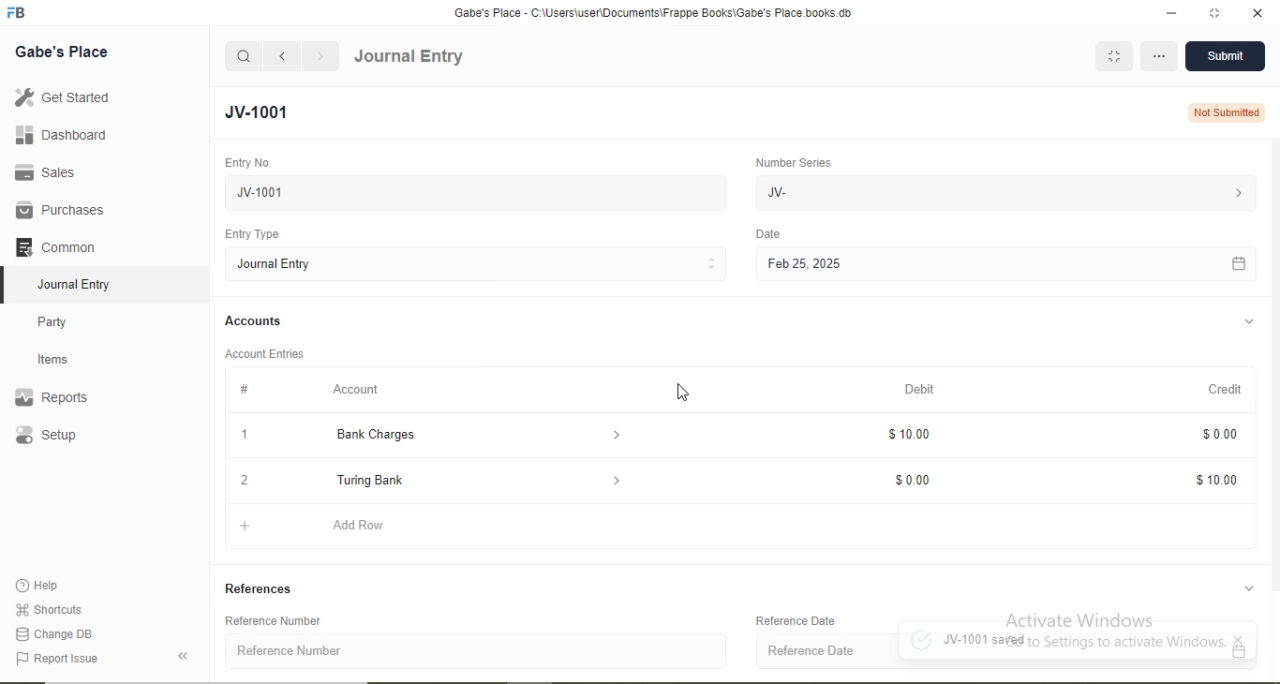 The image size is (1280, 684). I want to click on $10.00, so click(1218, 480).